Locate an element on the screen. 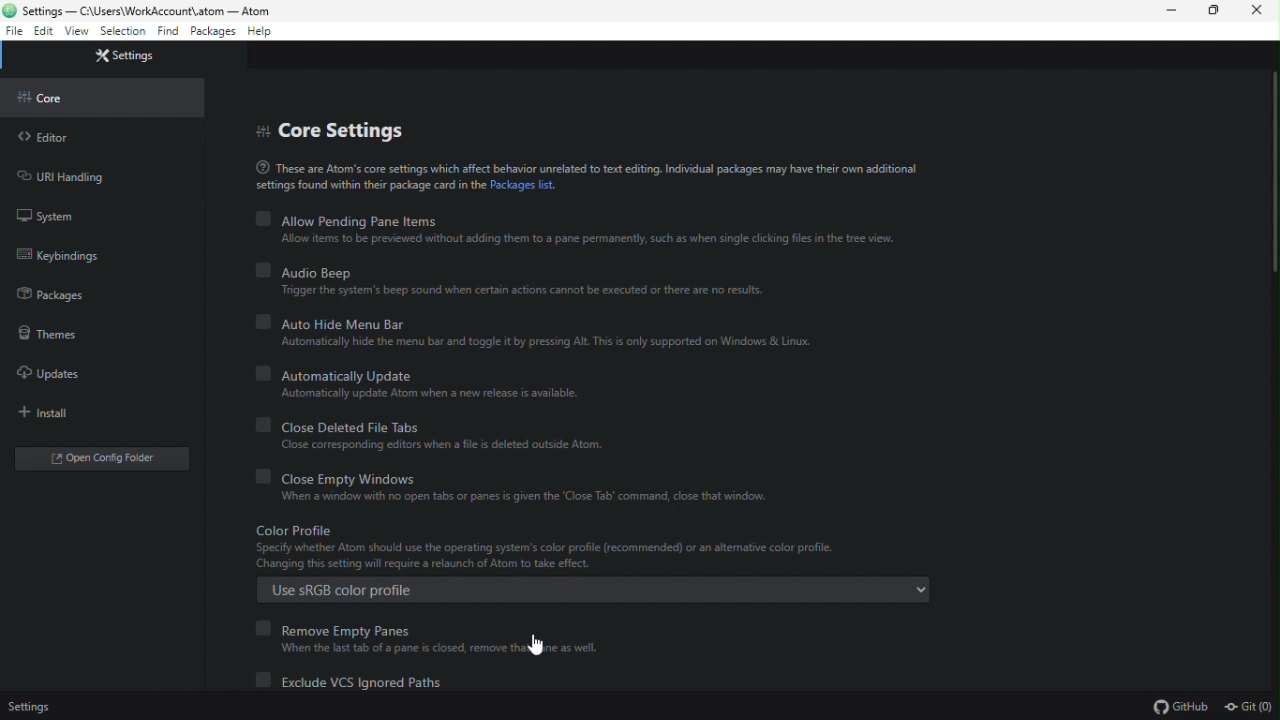 The width and height of the screenshot is (1280, 720). edit is located at coordinates (43, 31).